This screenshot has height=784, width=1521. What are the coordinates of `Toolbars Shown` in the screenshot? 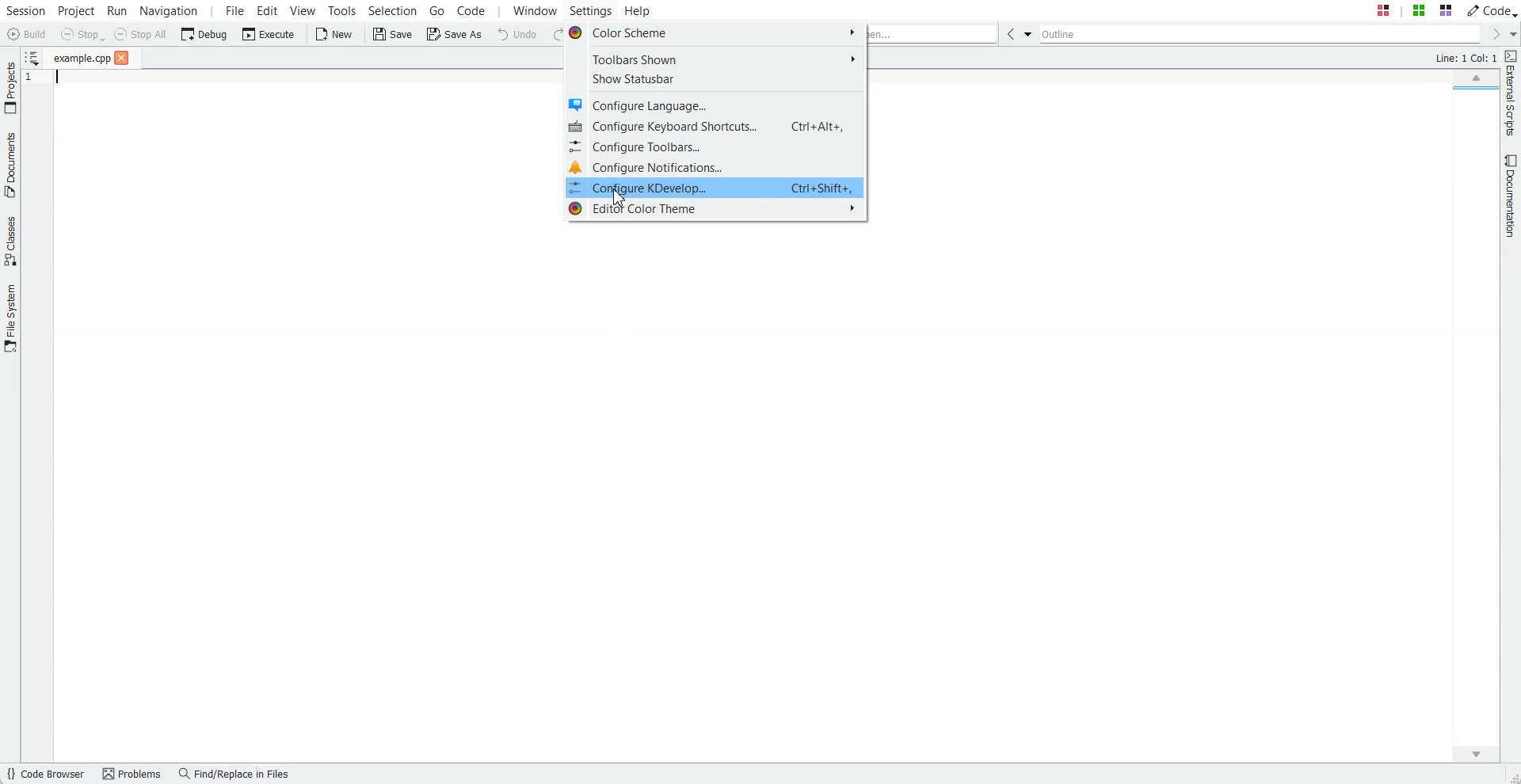 It's located at (715, 60).